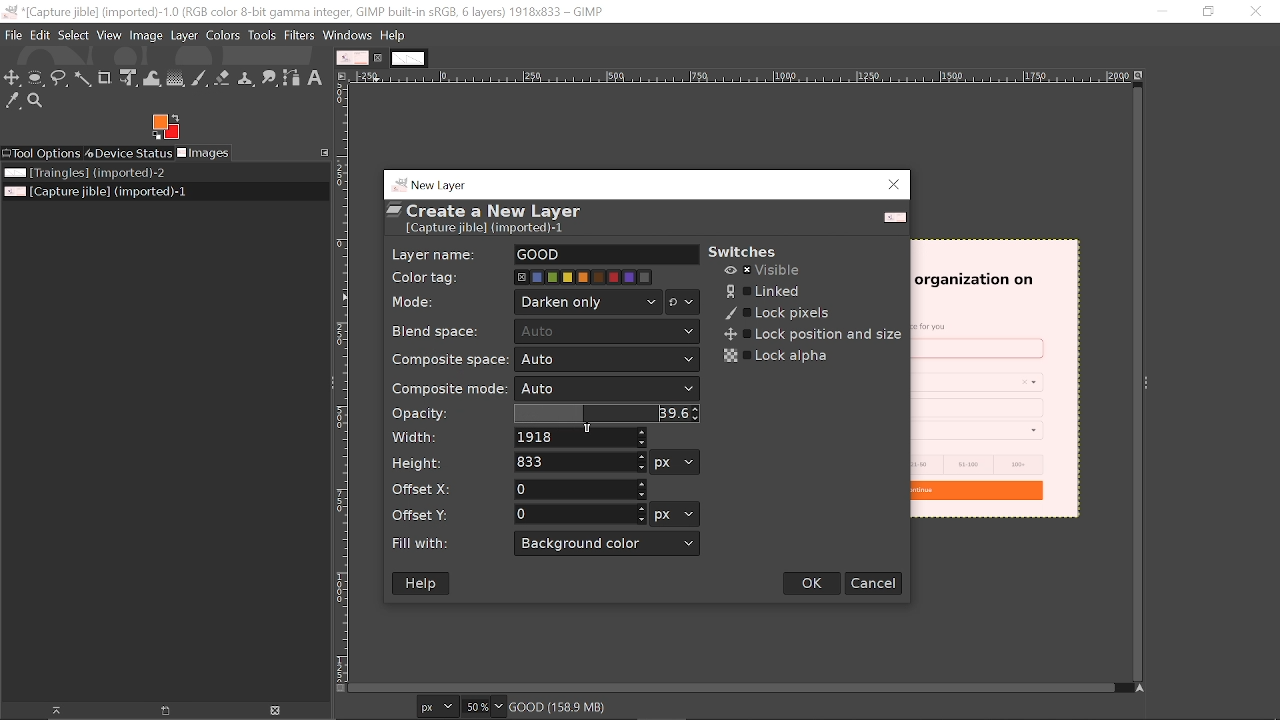  I want to click on Offset Y:, so click(430, 513).